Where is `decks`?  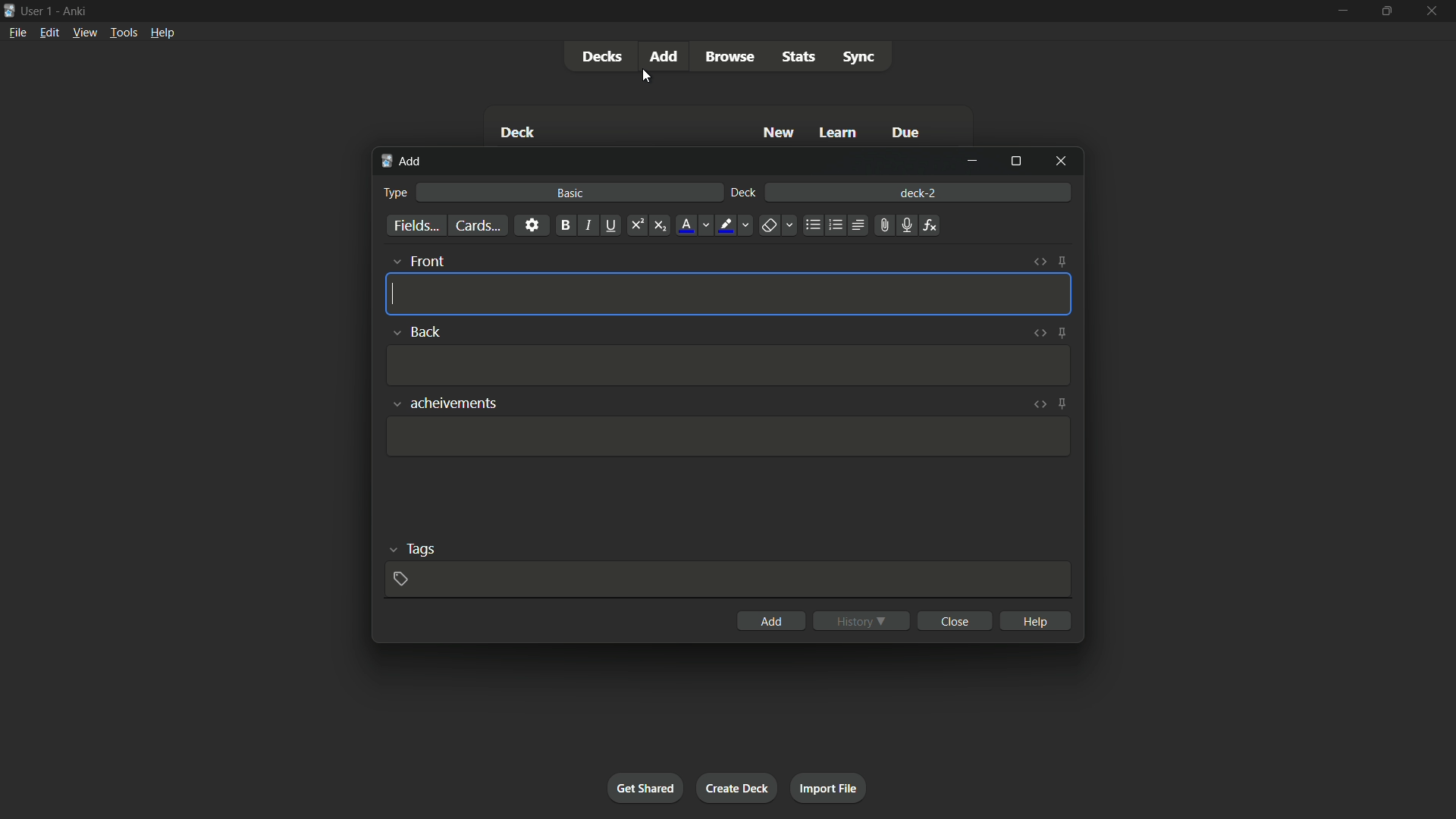 decks is located at coordinates (600, 56).